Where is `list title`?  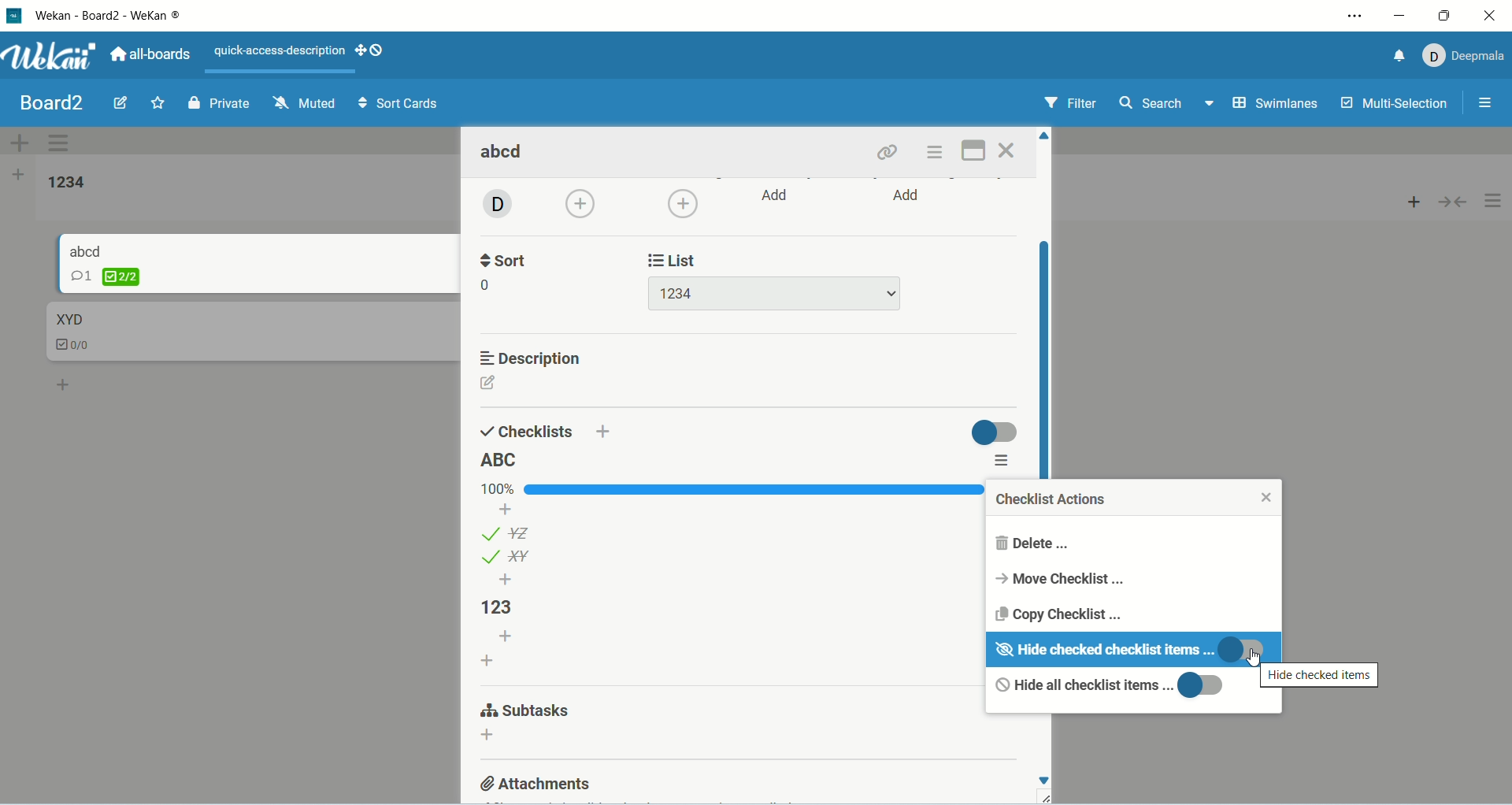
list title is located at coordinates (502, 461).